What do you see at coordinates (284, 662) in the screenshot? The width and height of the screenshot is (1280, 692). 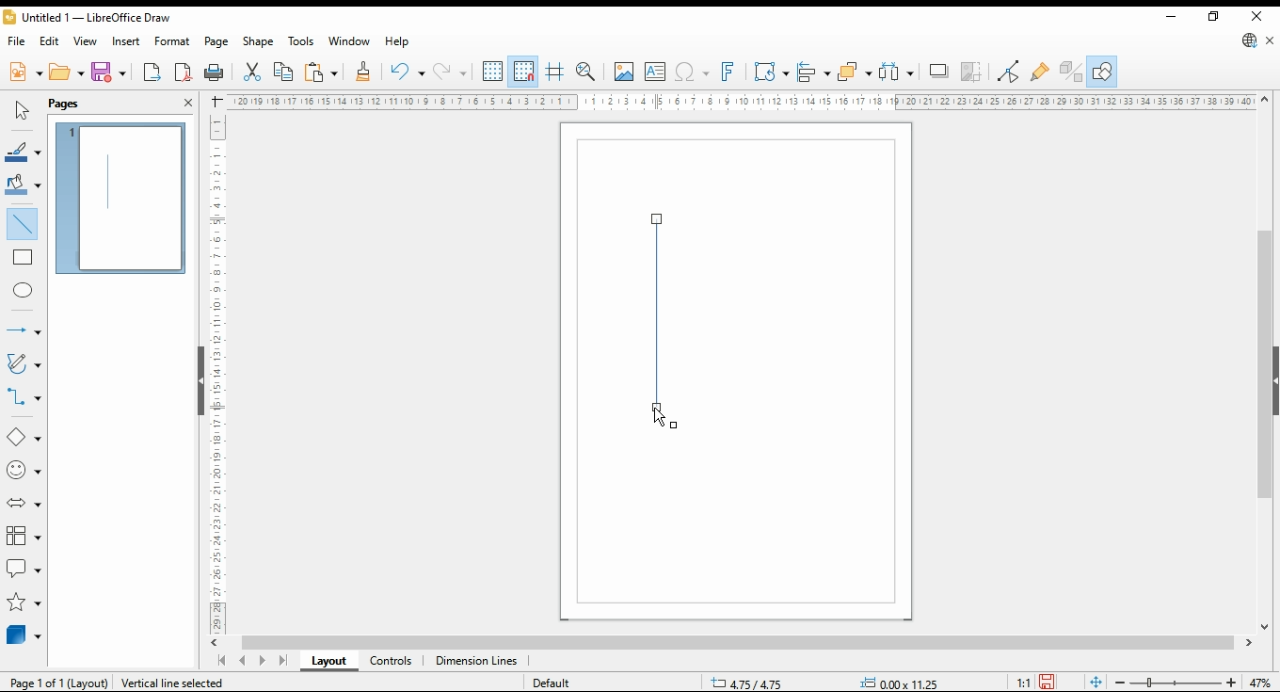 I see `last page` at bounding box center [284, 662].